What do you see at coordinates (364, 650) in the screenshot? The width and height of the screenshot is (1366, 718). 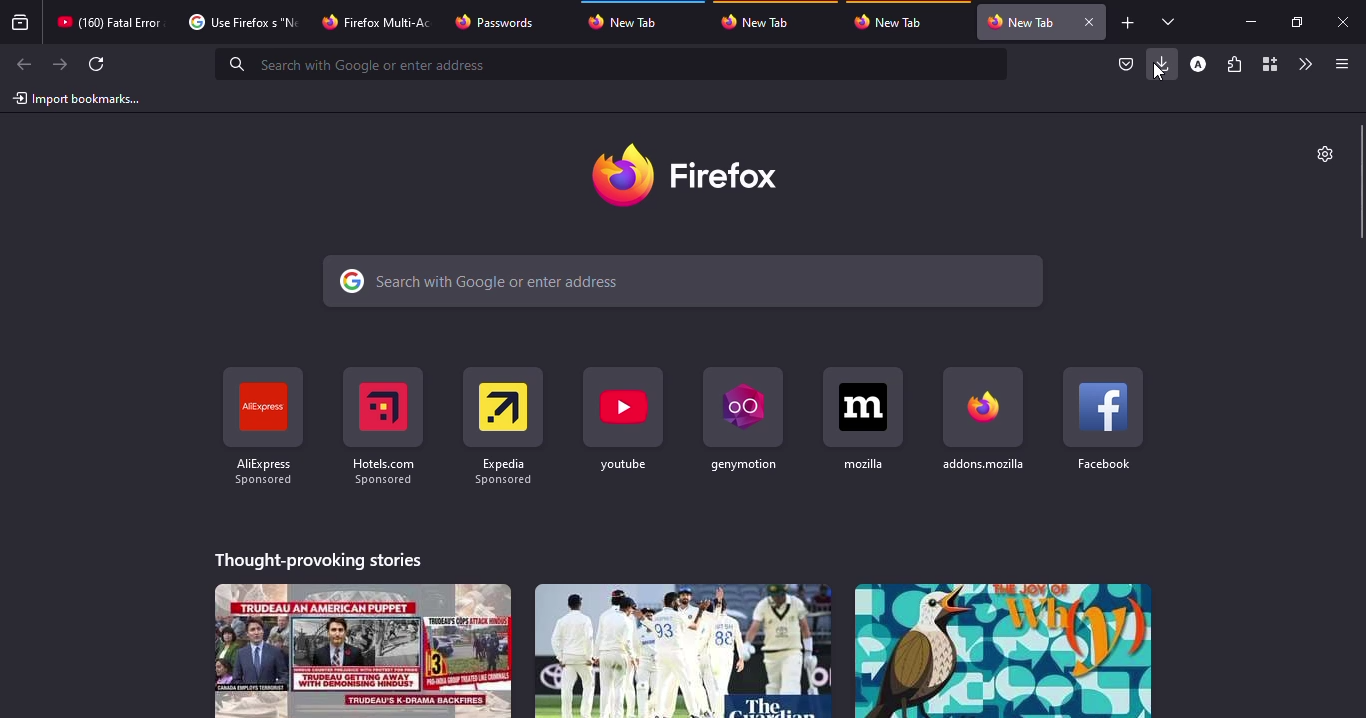 I see `stories` at bounding box center [364, 650].